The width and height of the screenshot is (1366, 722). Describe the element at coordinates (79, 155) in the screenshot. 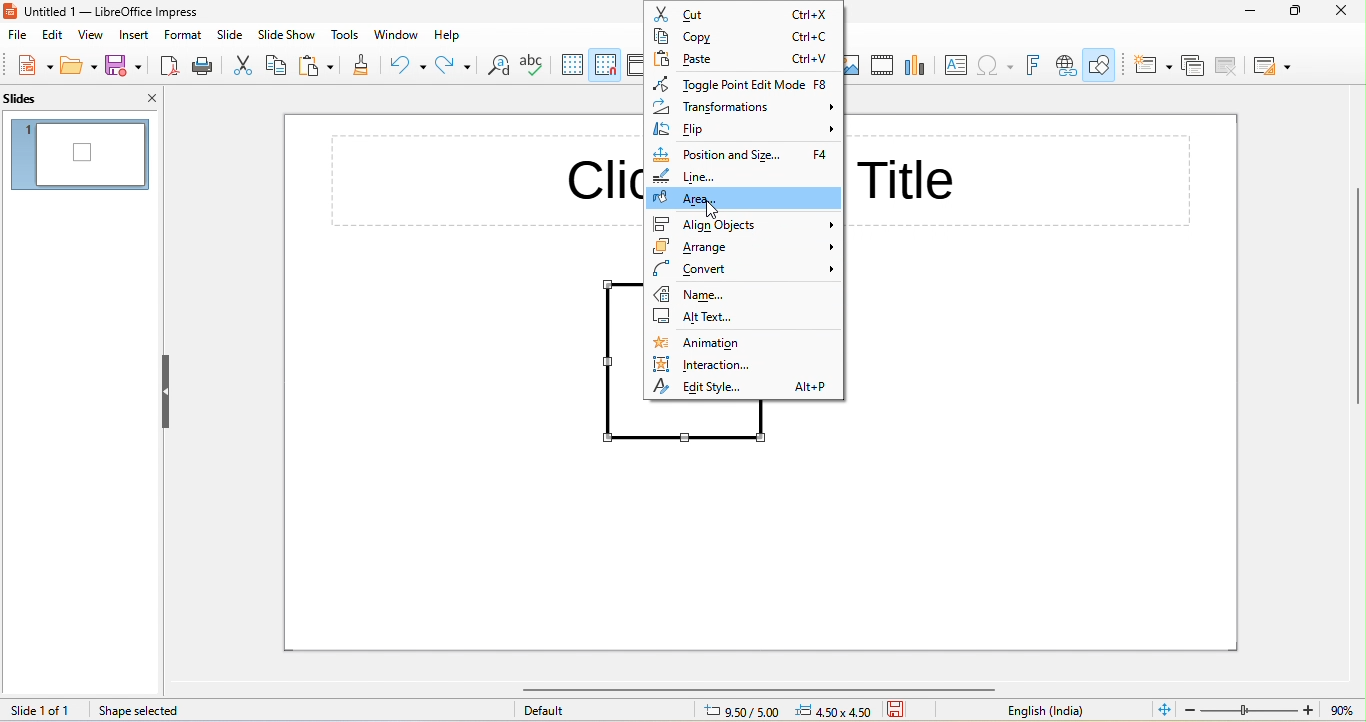

I see `slide in slide pane` at that location.